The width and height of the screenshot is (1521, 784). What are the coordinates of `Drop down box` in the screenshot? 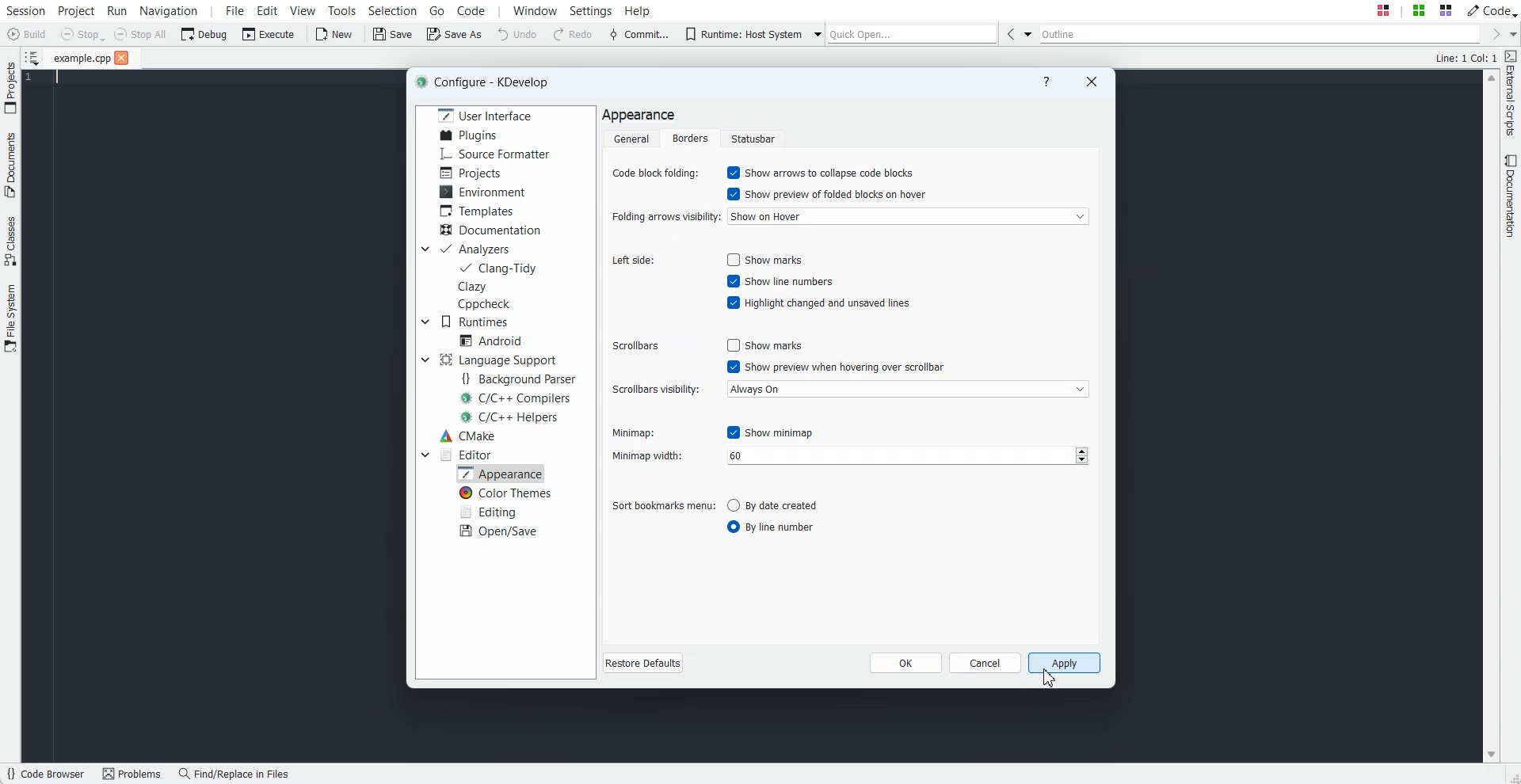 It's located at (1511, 34).